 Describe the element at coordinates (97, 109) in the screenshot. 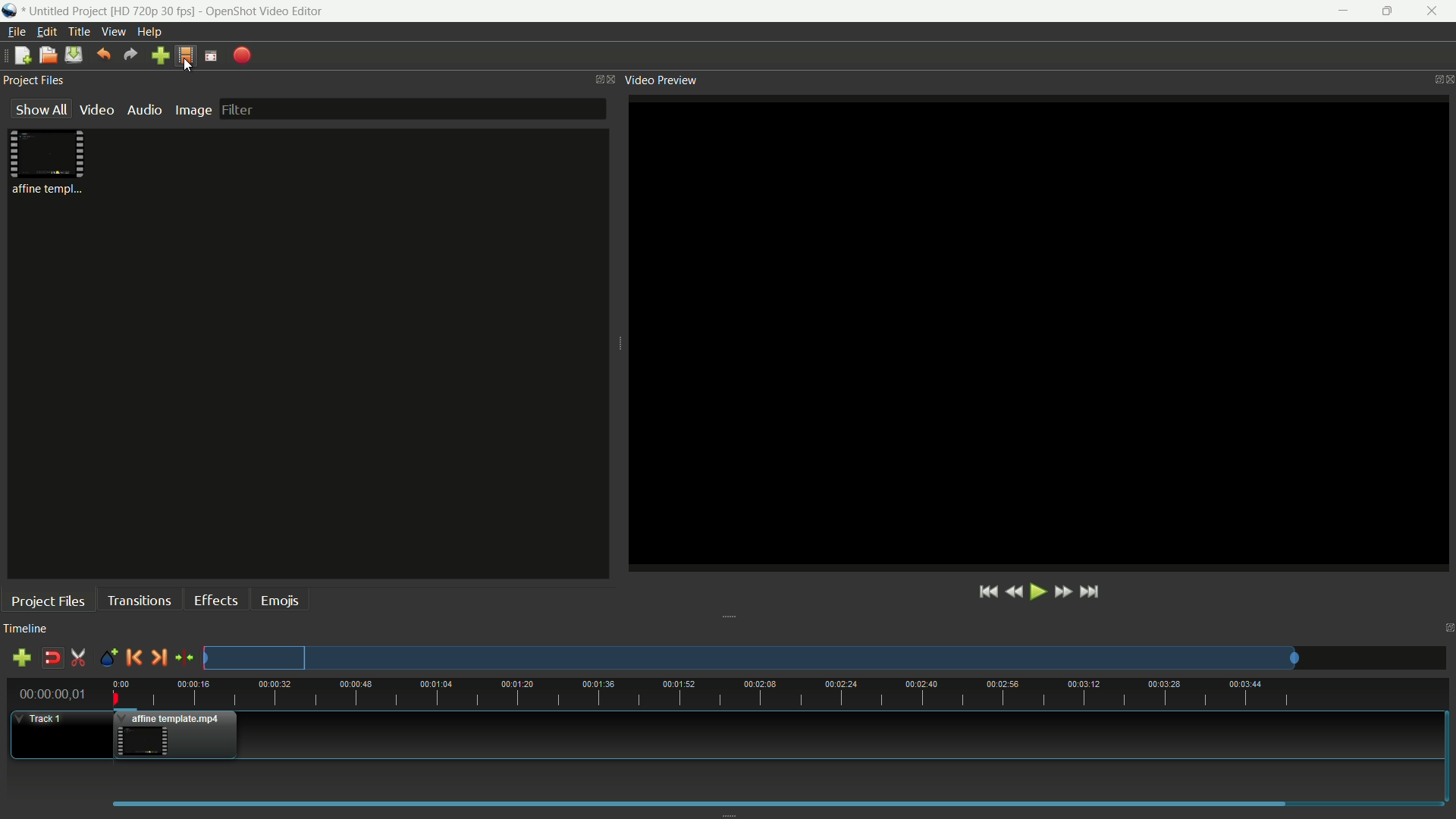

I see `video` at that location.